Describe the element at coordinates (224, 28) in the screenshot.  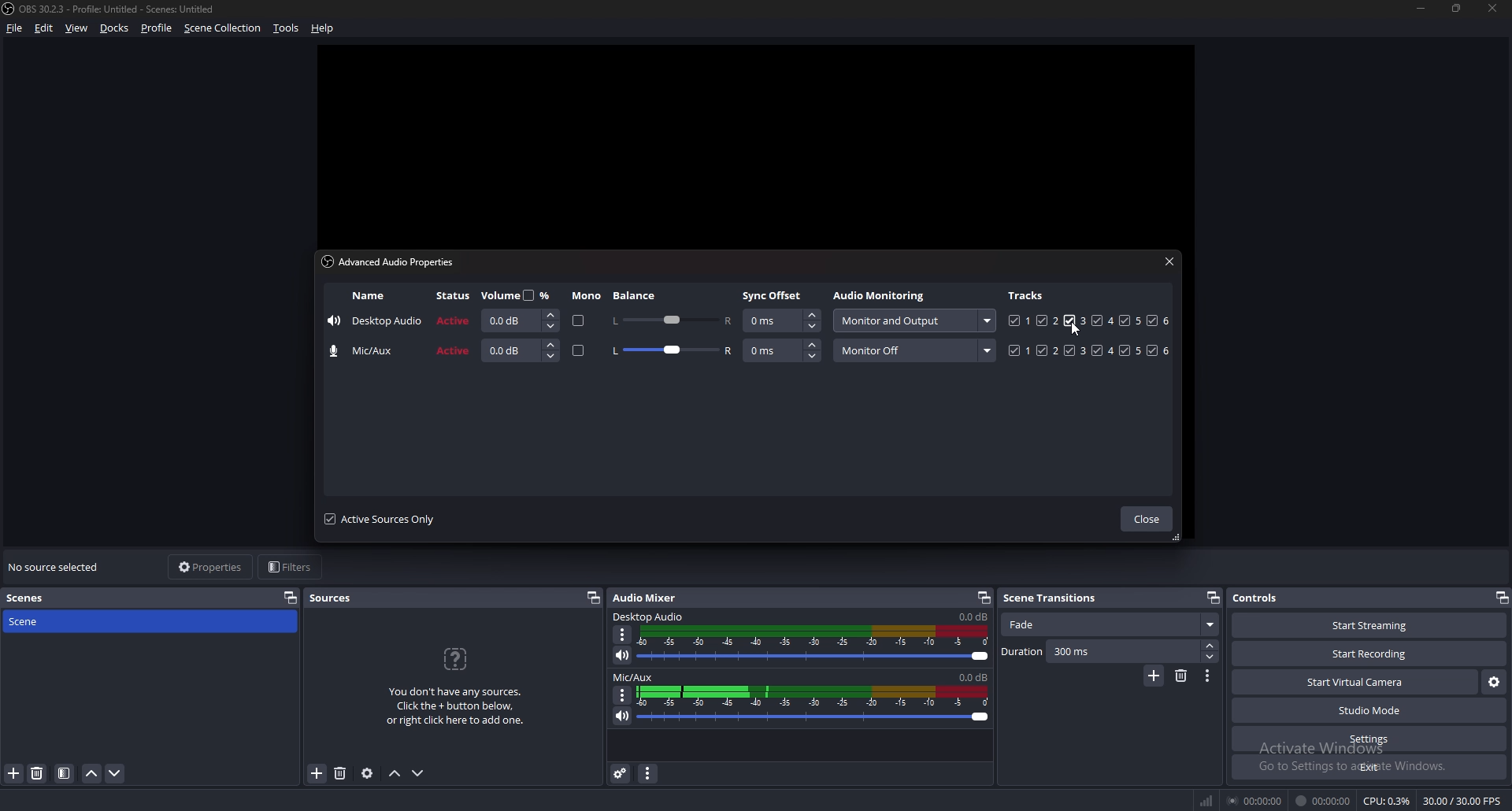
I see `scene collection` at that location.